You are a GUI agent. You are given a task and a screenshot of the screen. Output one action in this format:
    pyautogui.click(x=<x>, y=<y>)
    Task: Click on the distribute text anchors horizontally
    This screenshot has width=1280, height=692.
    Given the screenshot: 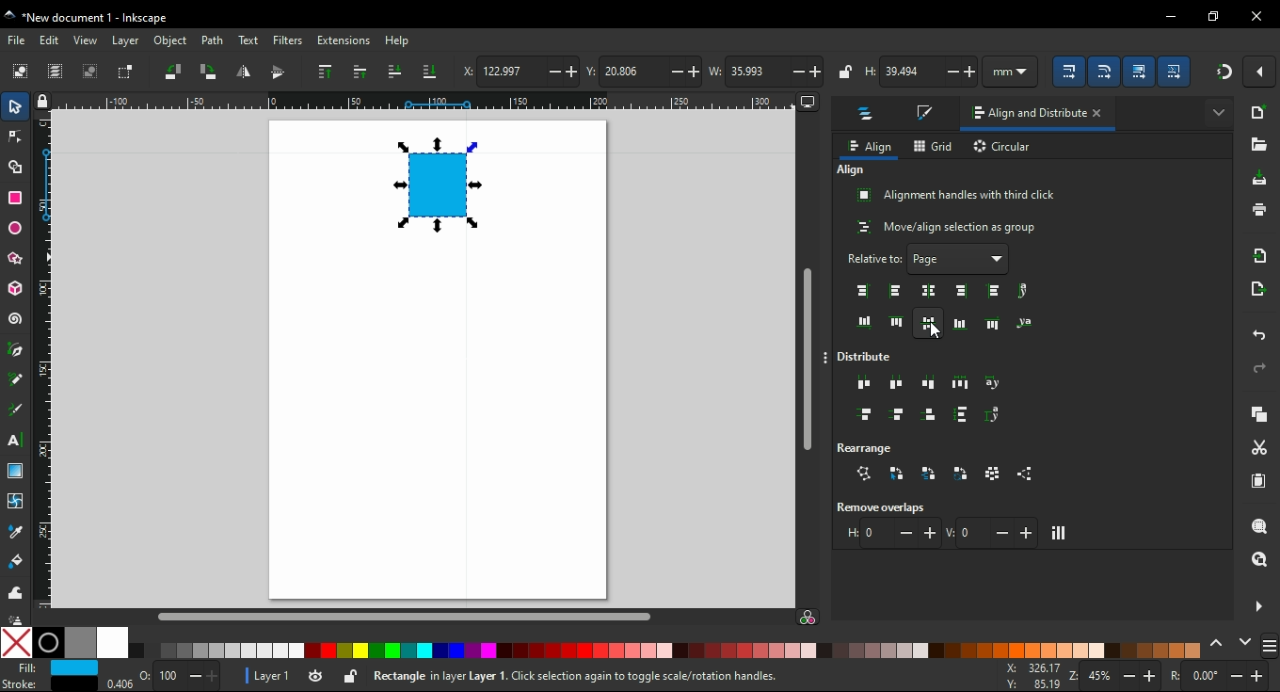 What is the action you would take?
    pyautogui.click(x=994, y=384)
    